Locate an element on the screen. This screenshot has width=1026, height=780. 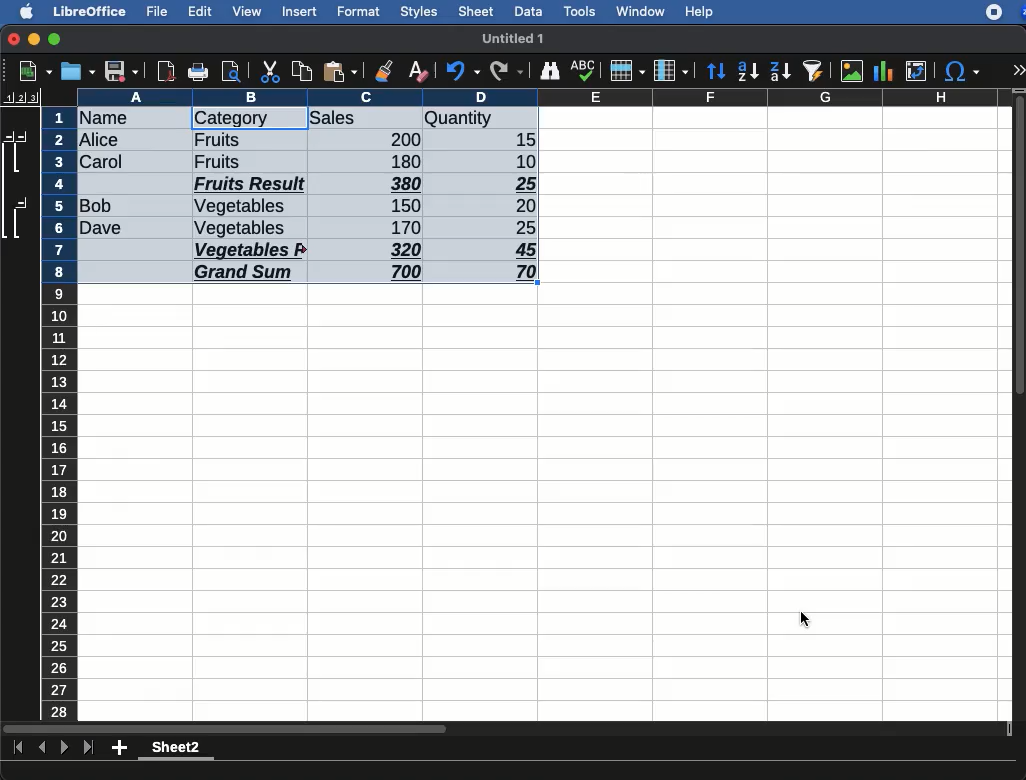
25 is located at coordinates (518, 226).